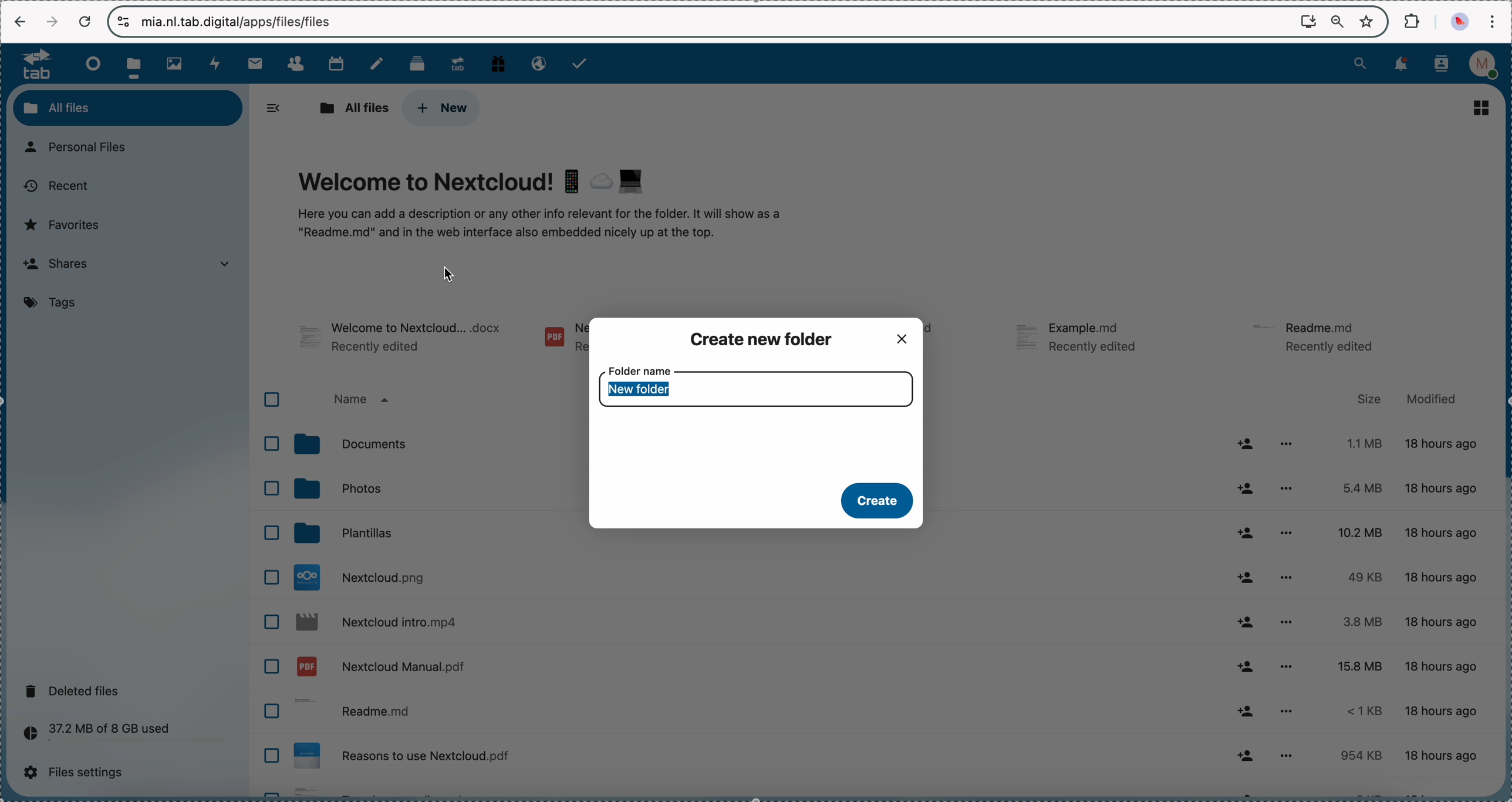  I want to click on documents, so click(434, 442).